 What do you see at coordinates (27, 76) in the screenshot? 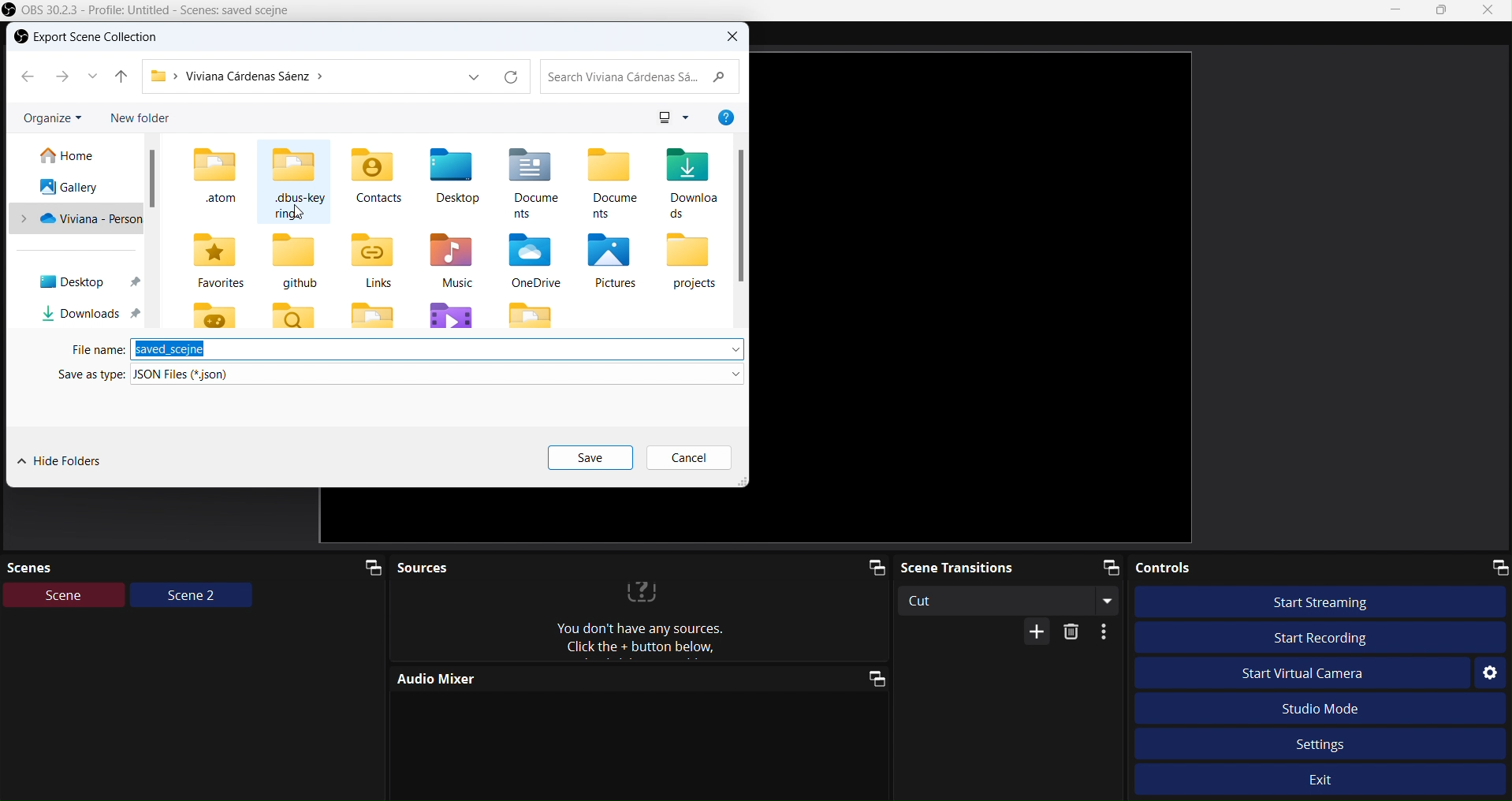
I see `back` at bounding box center [27, 76].